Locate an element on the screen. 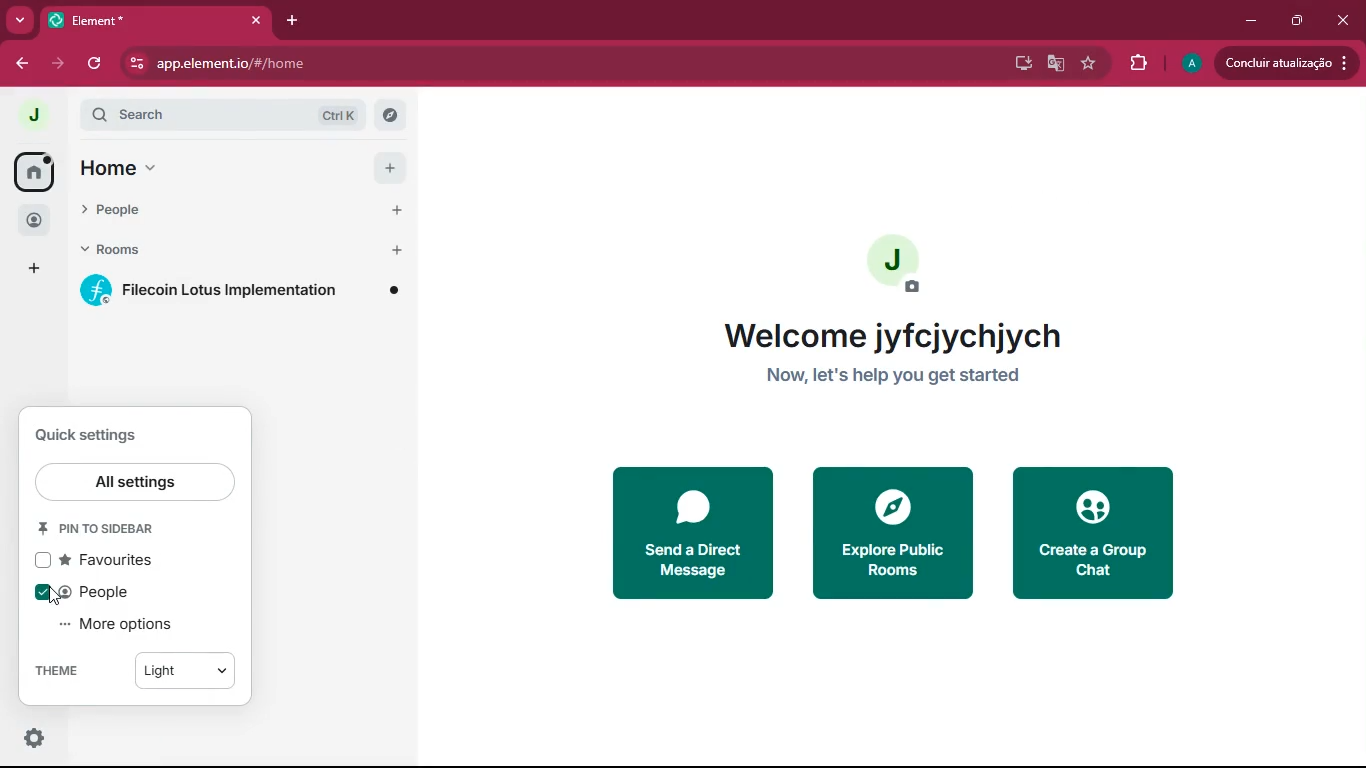  room is located at coordinates (241, 289).